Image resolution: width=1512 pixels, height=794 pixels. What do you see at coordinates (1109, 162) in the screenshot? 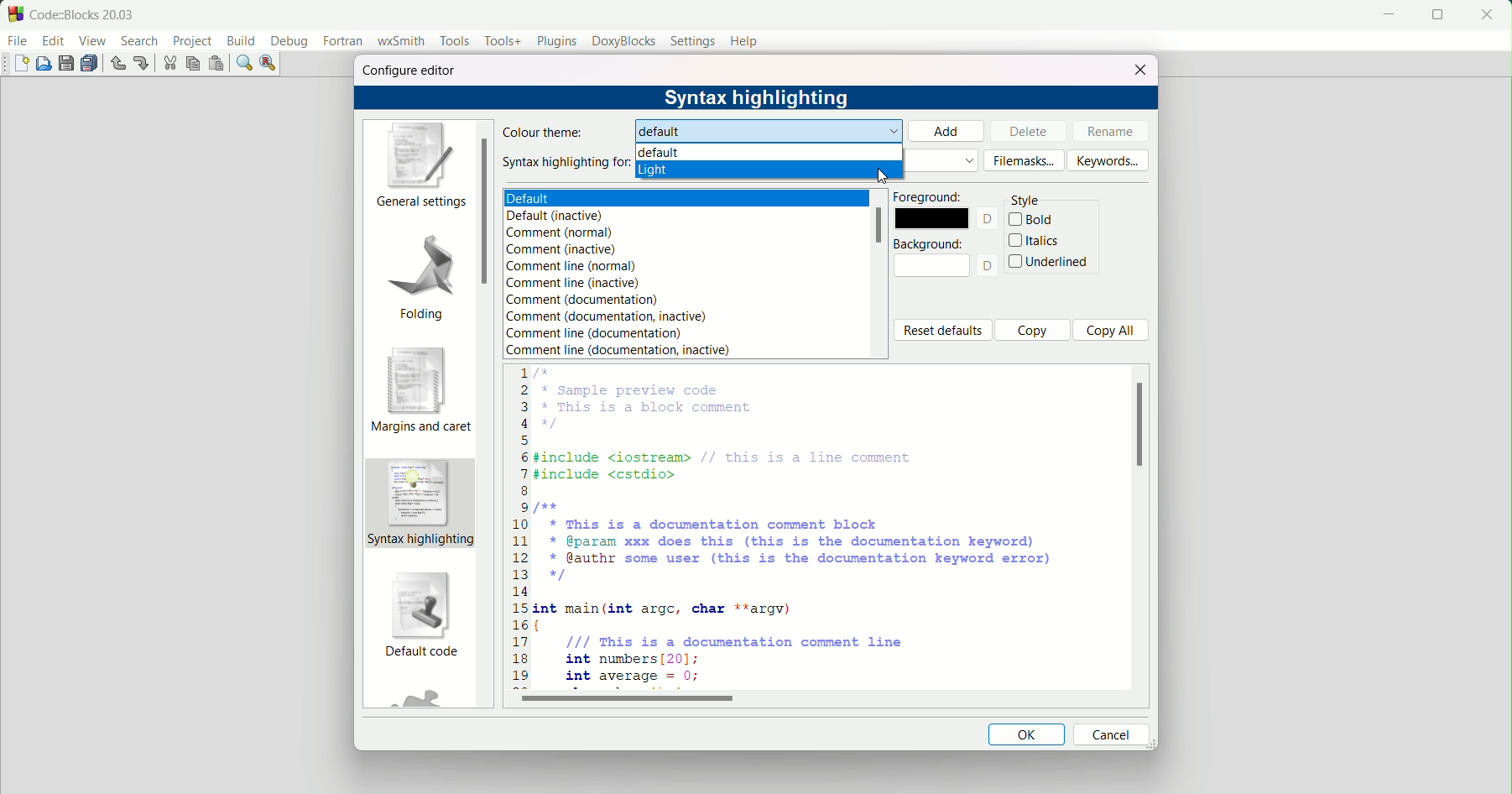
I see `keywords` at bounding box center [1109, 162].